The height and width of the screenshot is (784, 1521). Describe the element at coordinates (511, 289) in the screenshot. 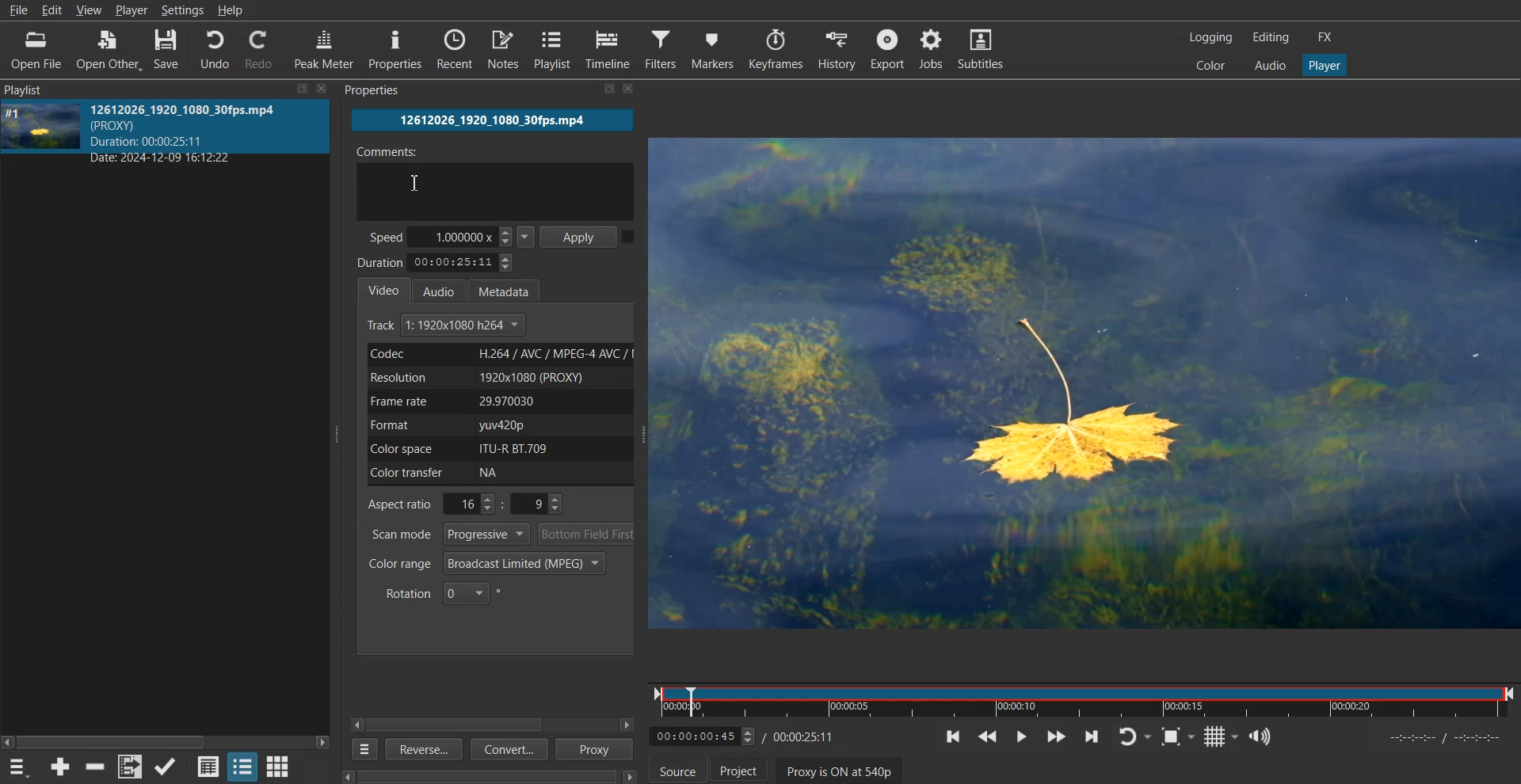

I see `Metadata` at that location.